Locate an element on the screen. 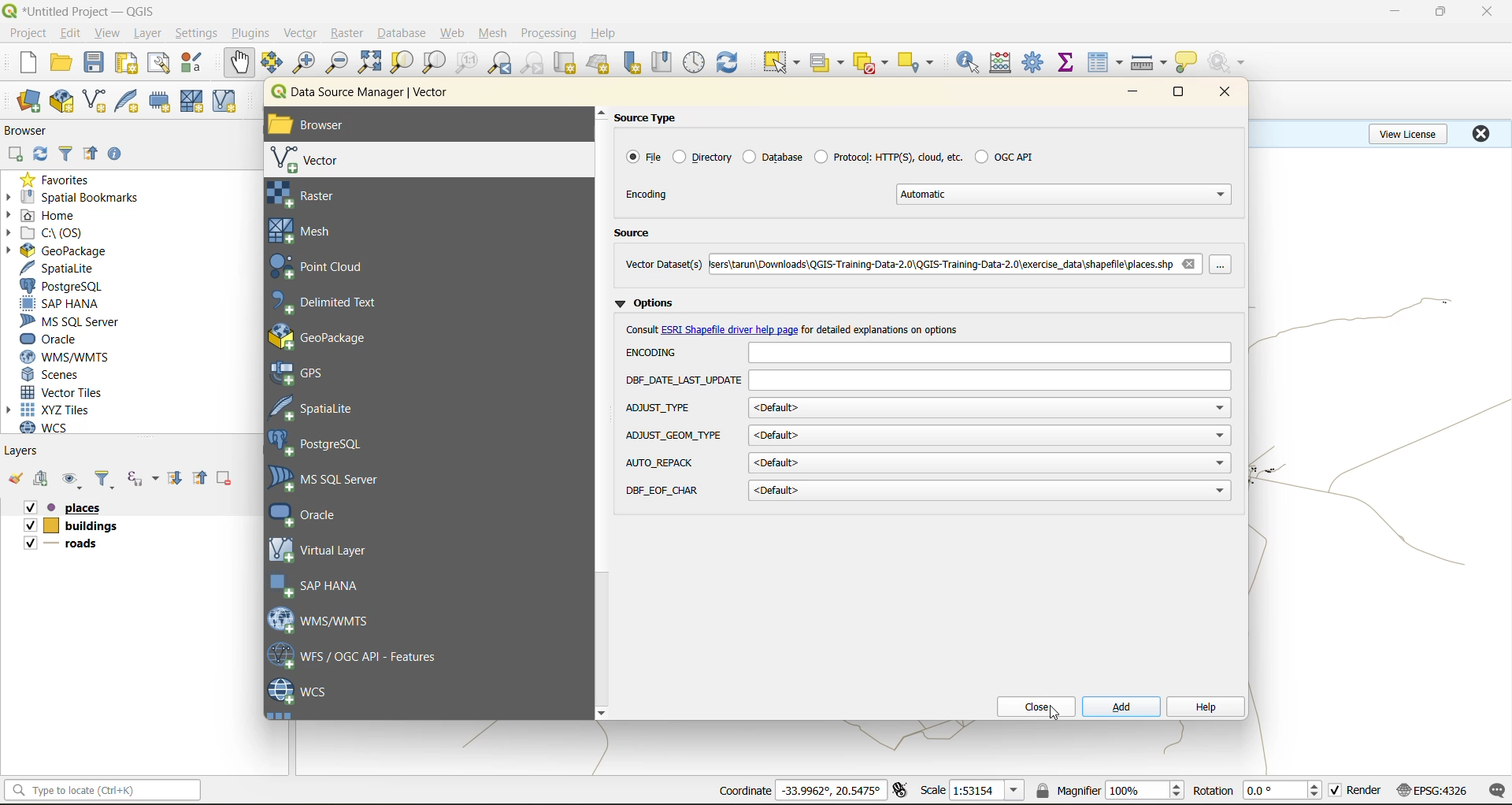  spatial lite is located at coordinates (325, 406).